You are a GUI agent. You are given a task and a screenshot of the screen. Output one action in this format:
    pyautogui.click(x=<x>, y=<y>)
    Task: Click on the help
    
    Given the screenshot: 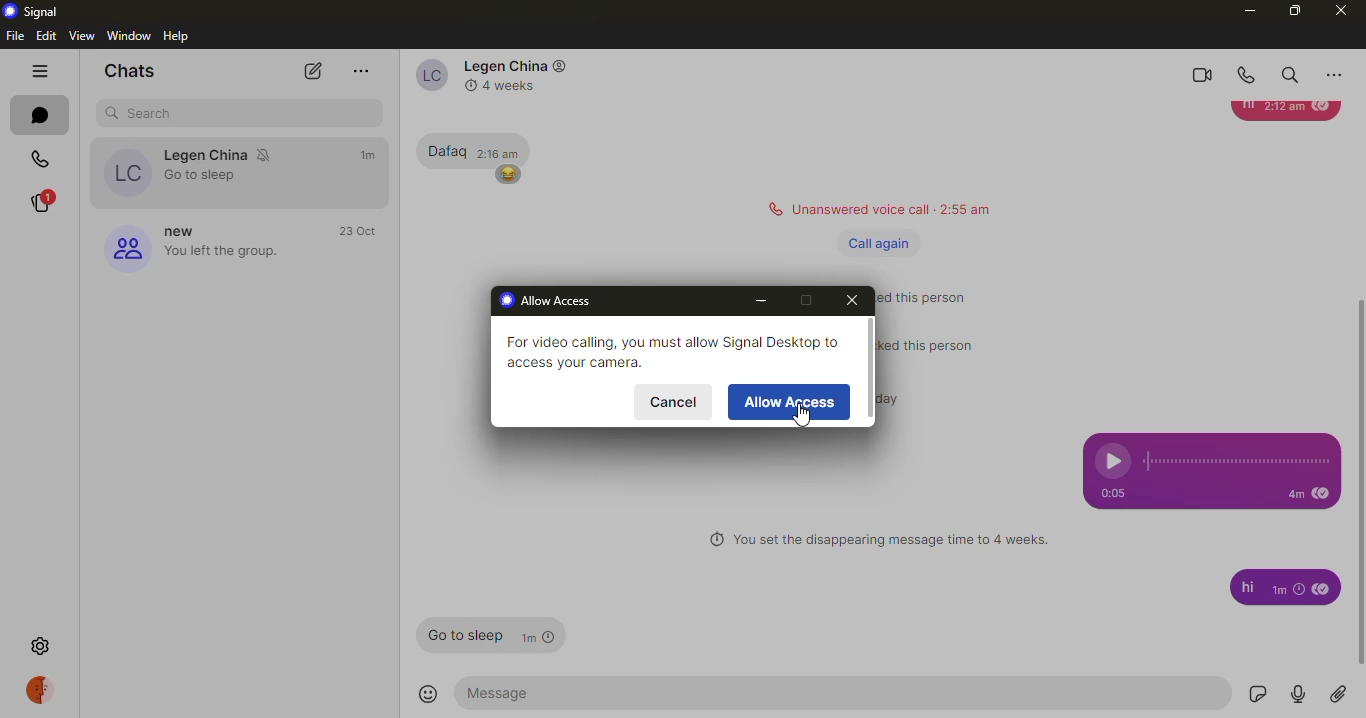 What is the action you would take?
    pyautogui.click(x=178, y=37)
    